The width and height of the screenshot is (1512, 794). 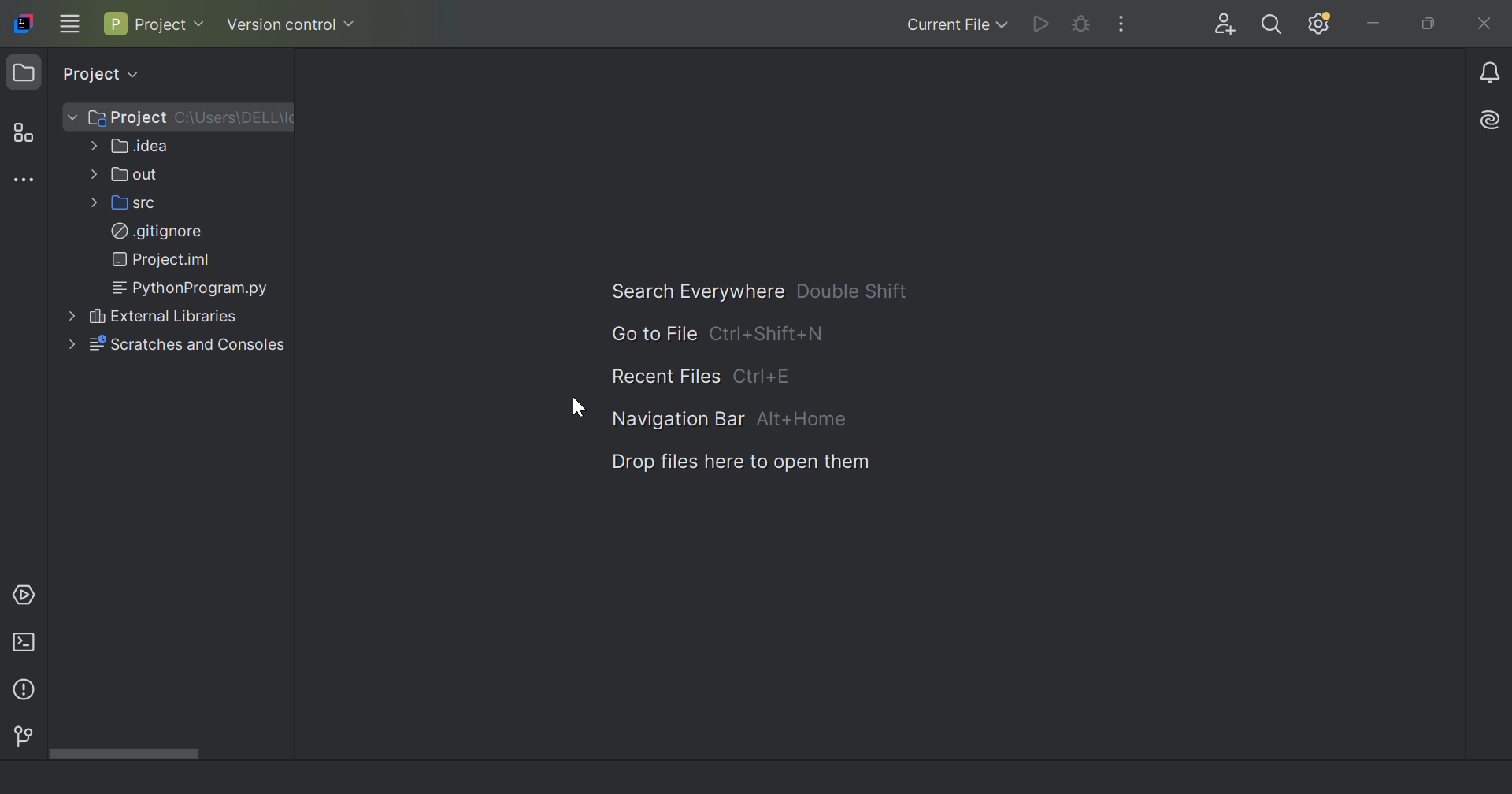 What do you see at coordinates (98, 71) in the screenshot?
I see `Project` at bounding box center [98, 71].